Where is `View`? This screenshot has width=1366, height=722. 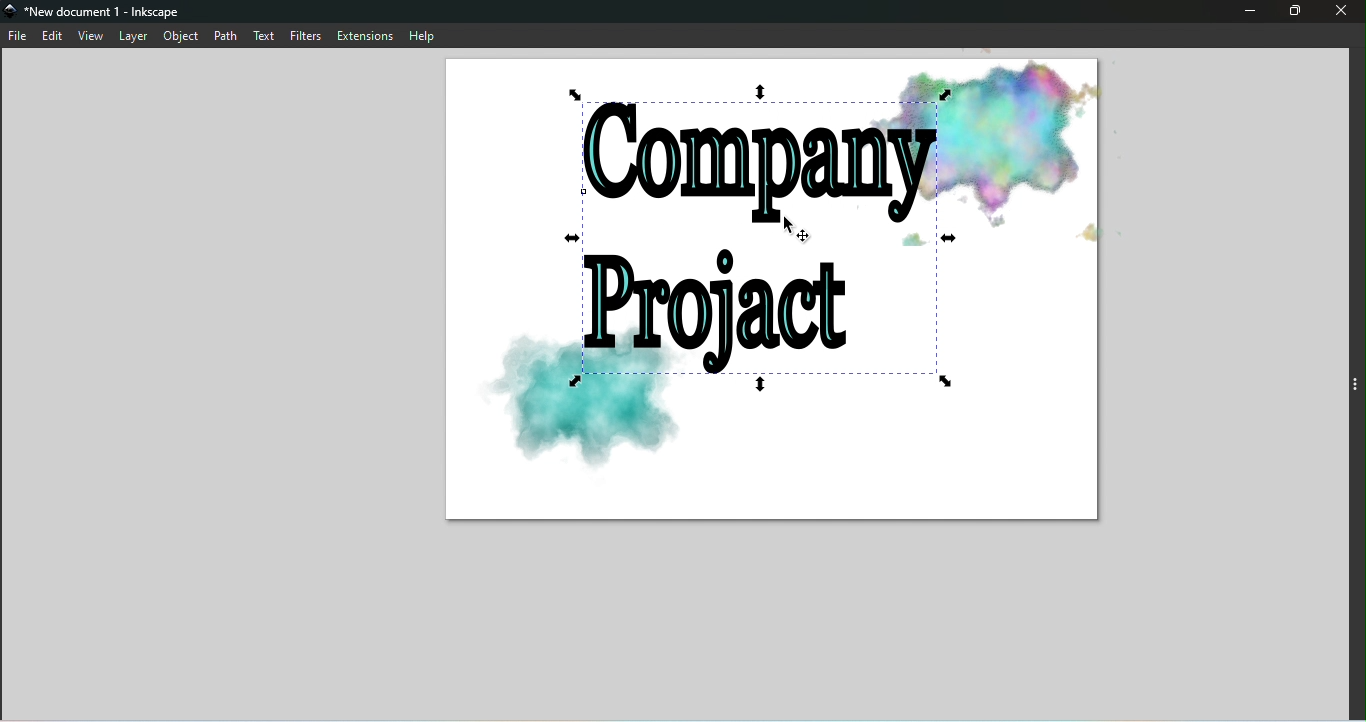
View is located at coordinates (91, 35).